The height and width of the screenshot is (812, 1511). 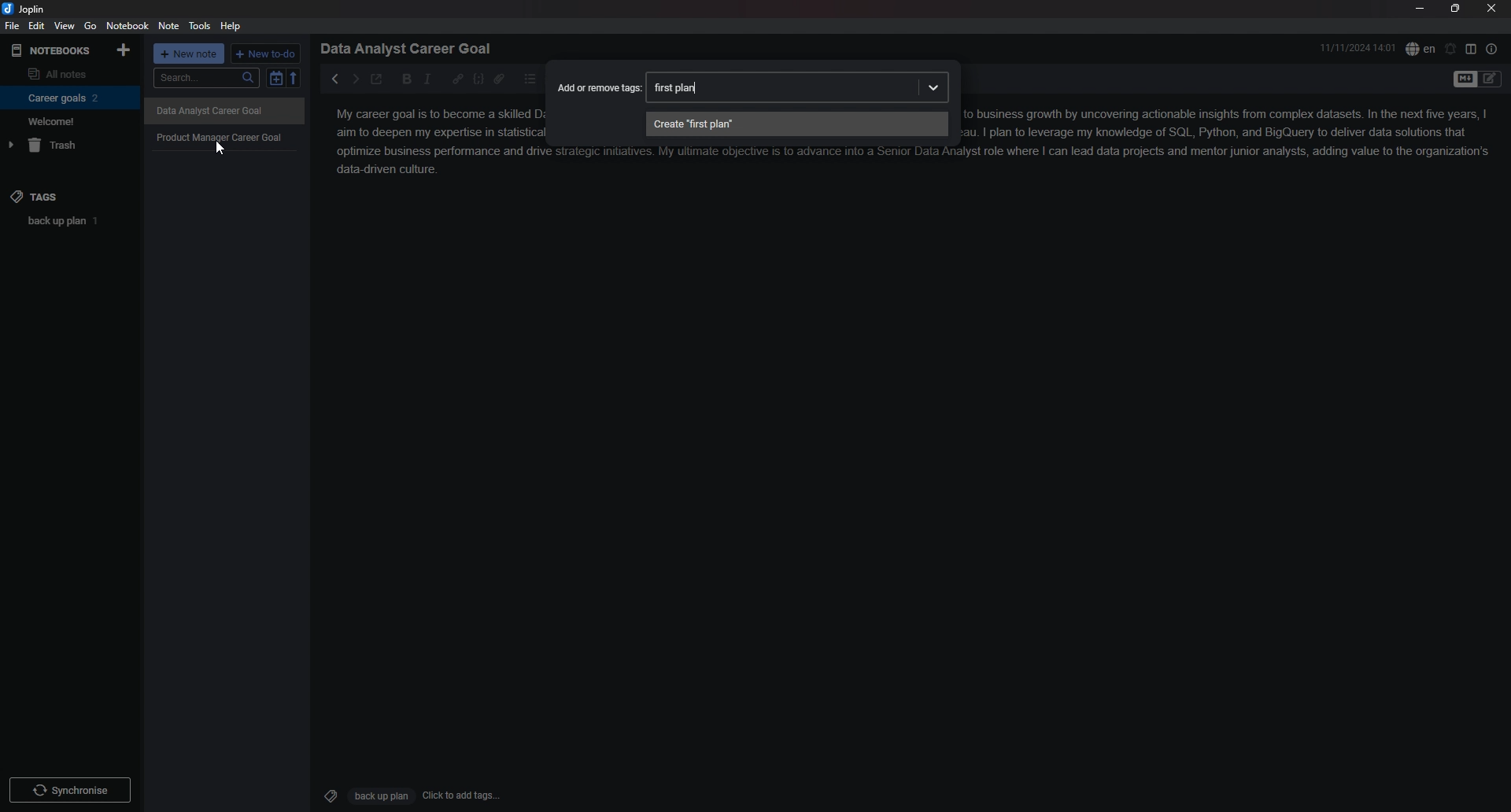 I want to click on + new note, so click(x=189, y=54).